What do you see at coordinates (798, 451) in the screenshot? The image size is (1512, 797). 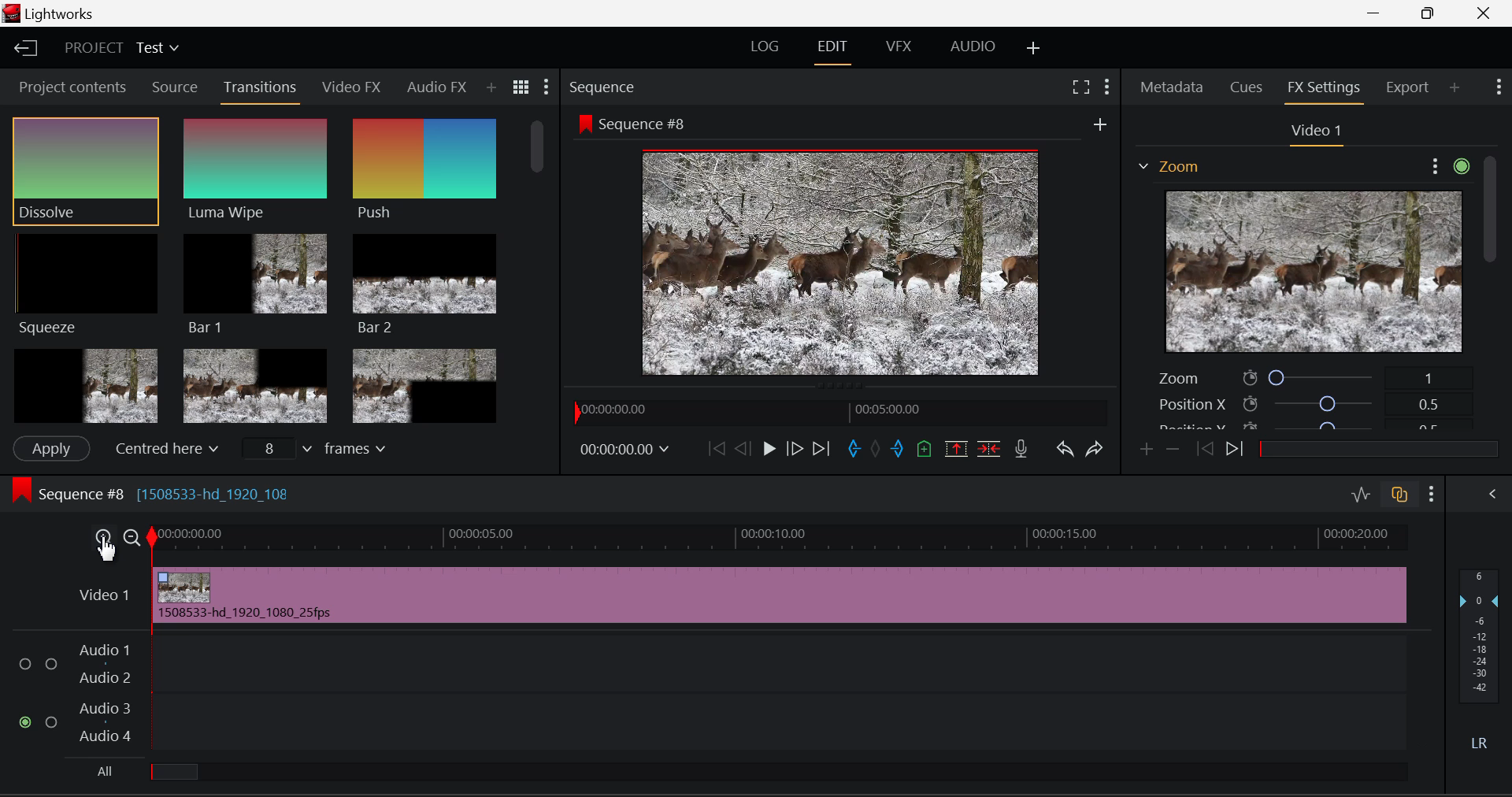 I see `Go Forward` at bounding box center [798, 451].